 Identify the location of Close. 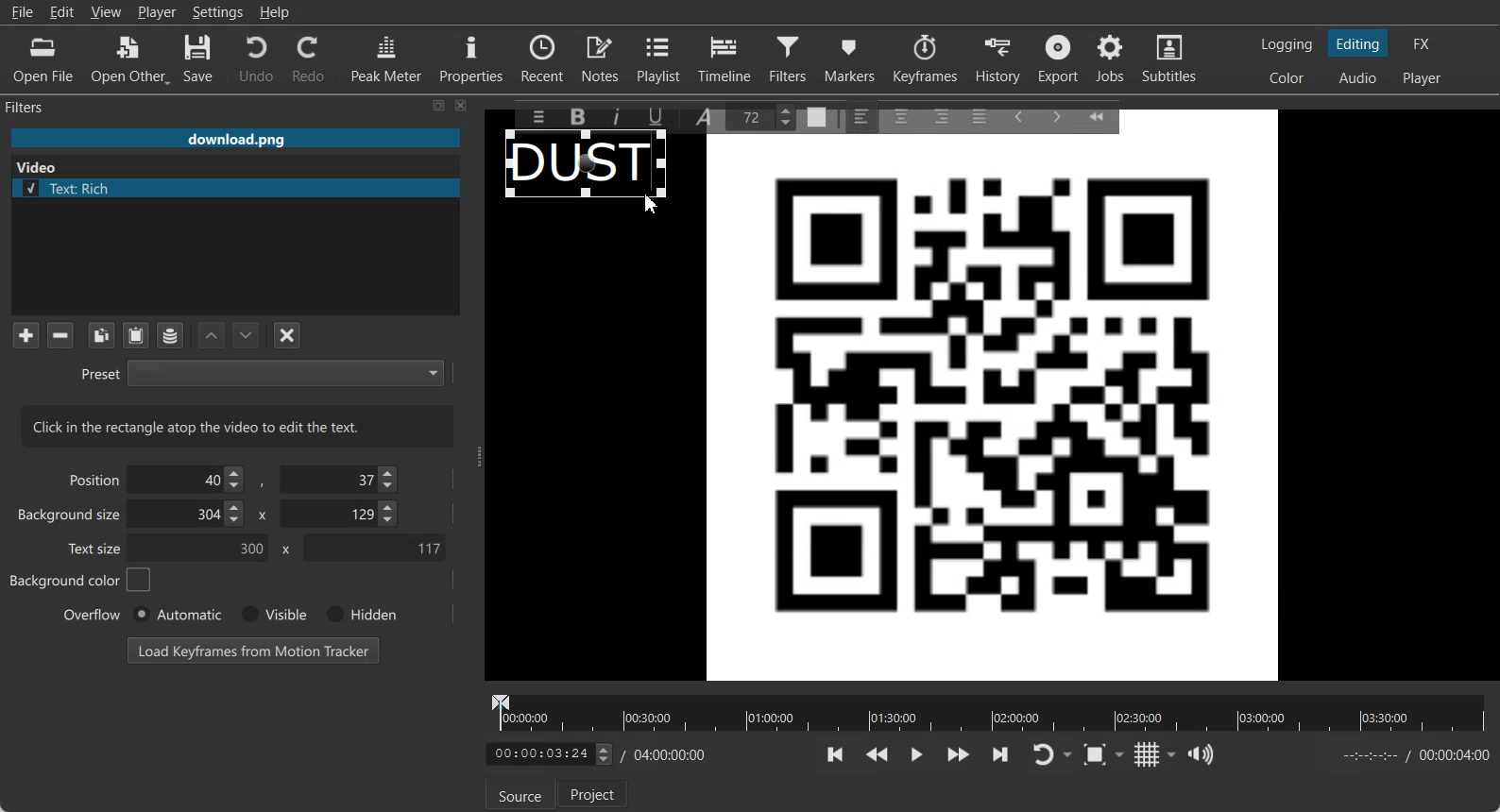
(462, 105).